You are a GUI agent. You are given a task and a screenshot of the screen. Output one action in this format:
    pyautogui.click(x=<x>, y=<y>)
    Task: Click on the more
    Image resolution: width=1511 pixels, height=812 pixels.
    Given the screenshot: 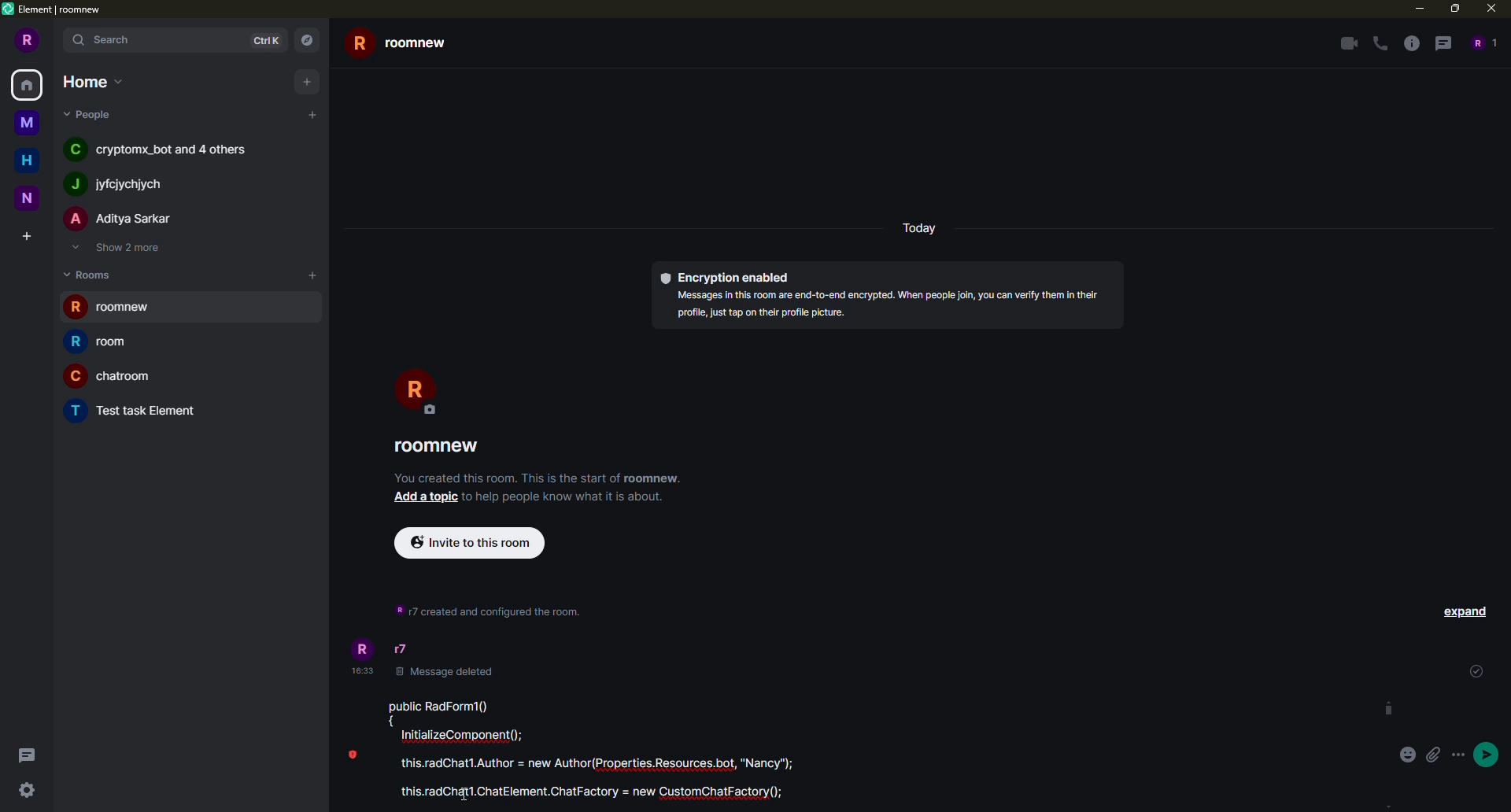 What is the action you would take?
    pyautogui.click(x=1459, y=754)
    